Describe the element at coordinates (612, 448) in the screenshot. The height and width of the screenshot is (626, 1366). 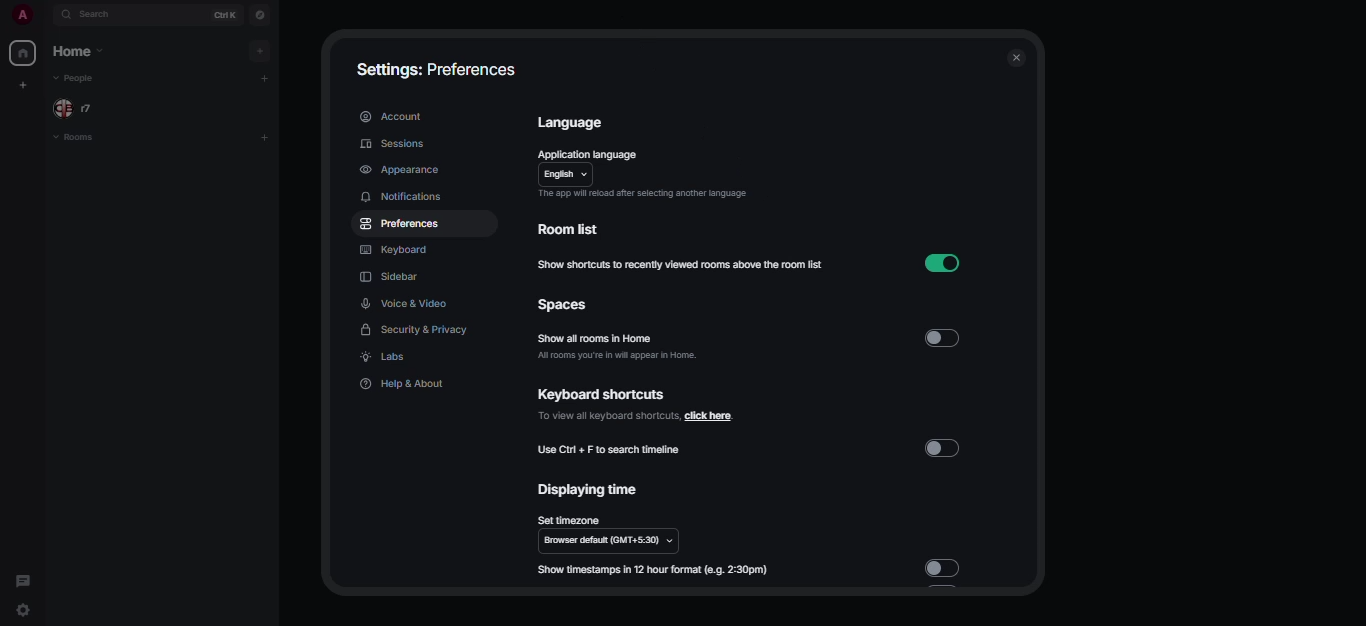
I see `use ctrl+F to search timeline` at that location.